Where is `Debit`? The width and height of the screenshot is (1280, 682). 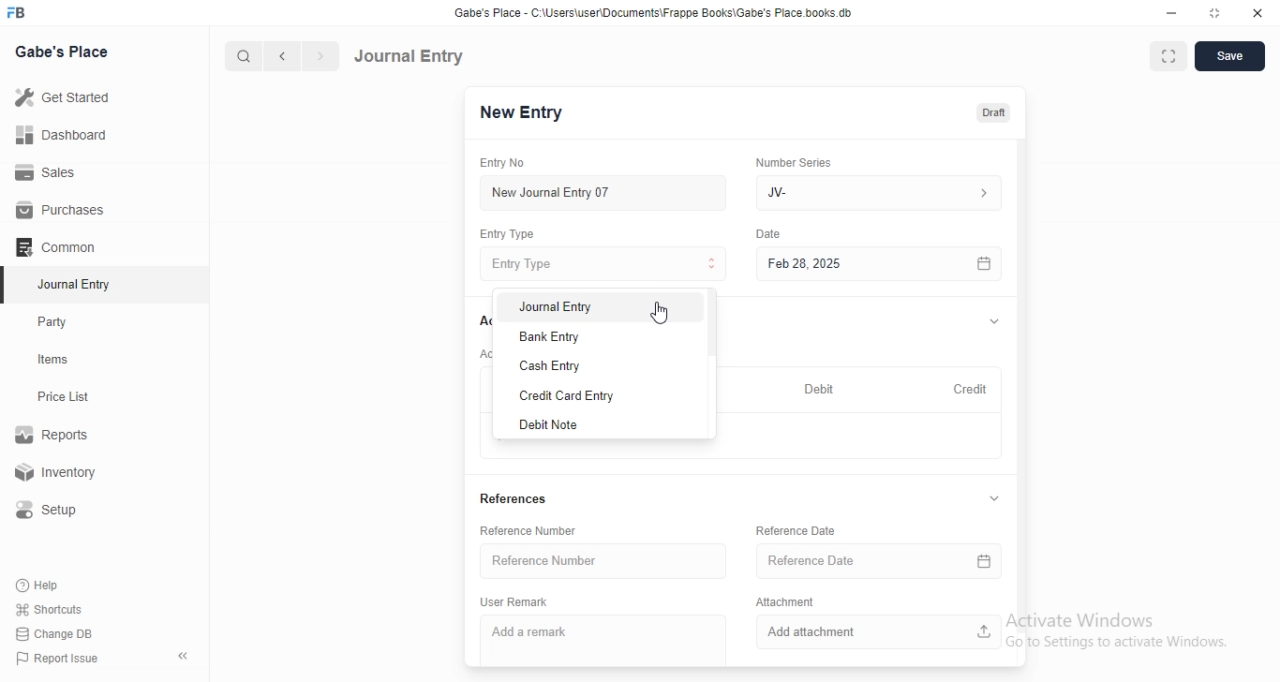
Debit is located at coordinates (815, 387).